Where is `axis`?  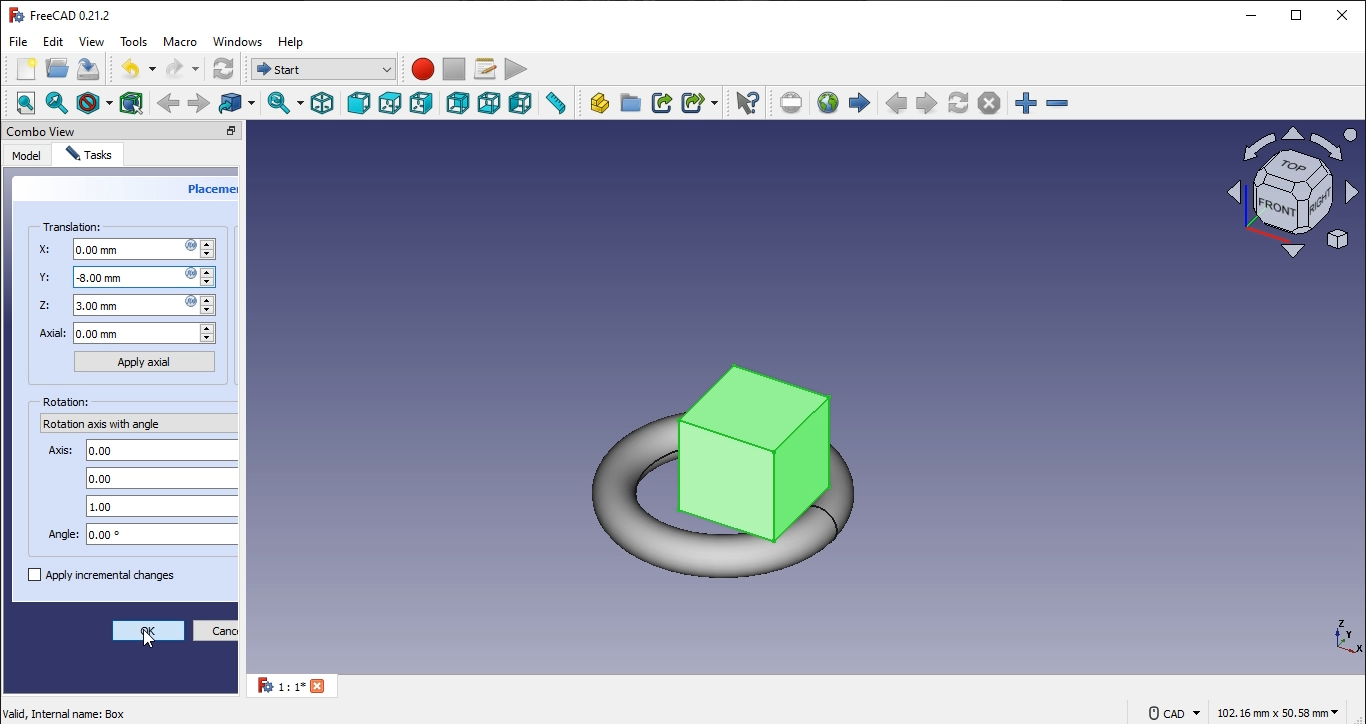
axis is located at coordinates (161, 507).